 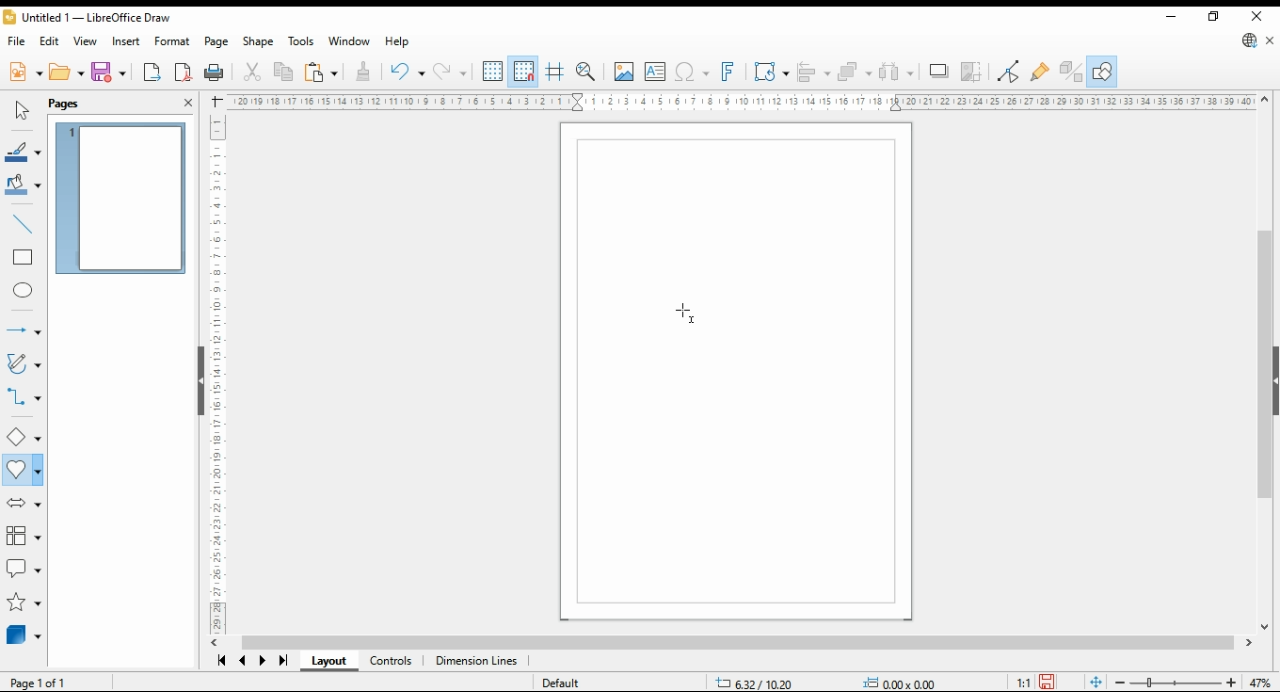 What do you see at coordinates (258, 42) in the screenshot?
I see `shape` at bounding box center [258, 42].